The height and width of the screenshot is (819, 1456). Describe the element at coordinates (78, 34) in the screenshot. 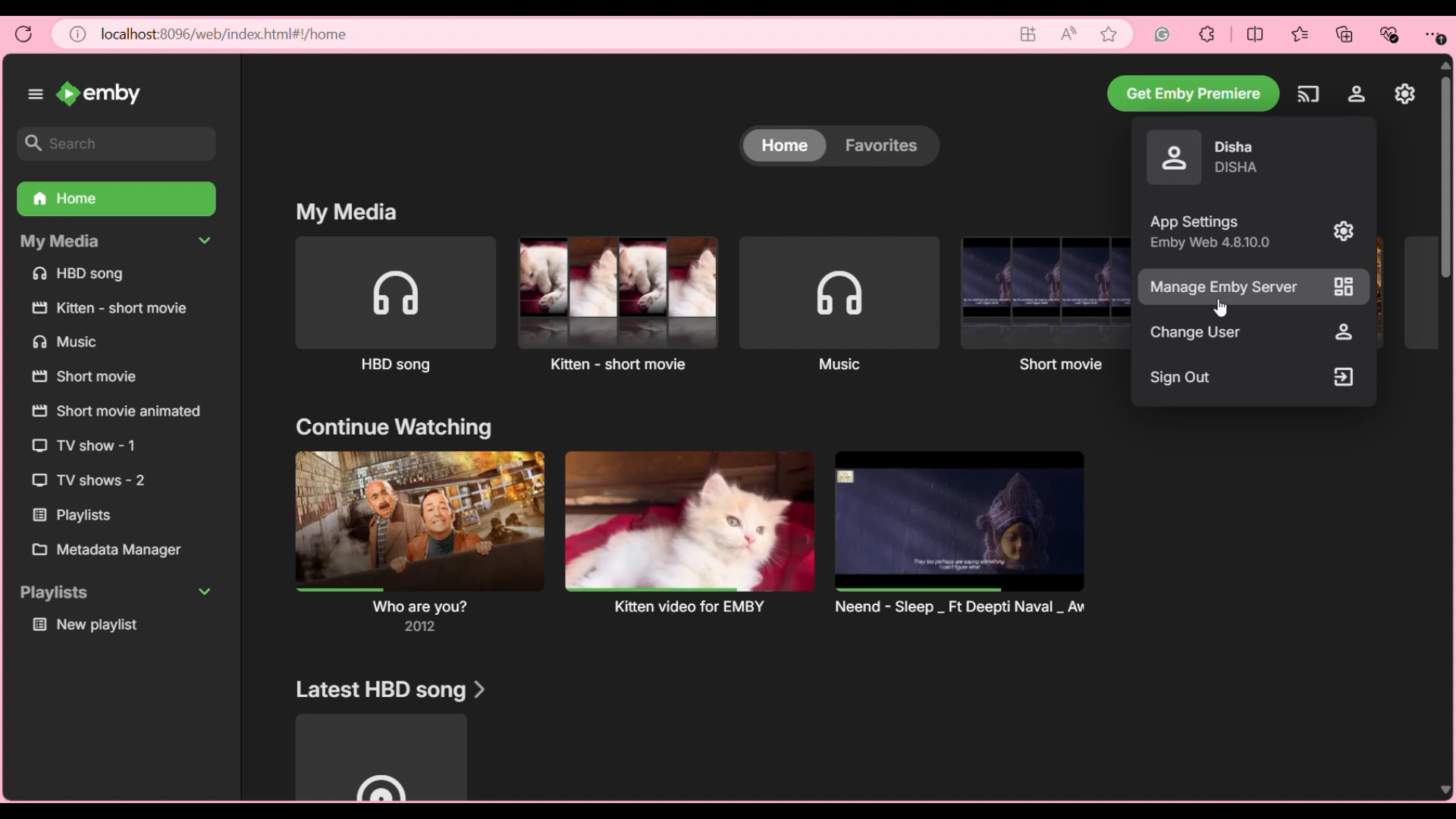

I see `View site information` at that location.